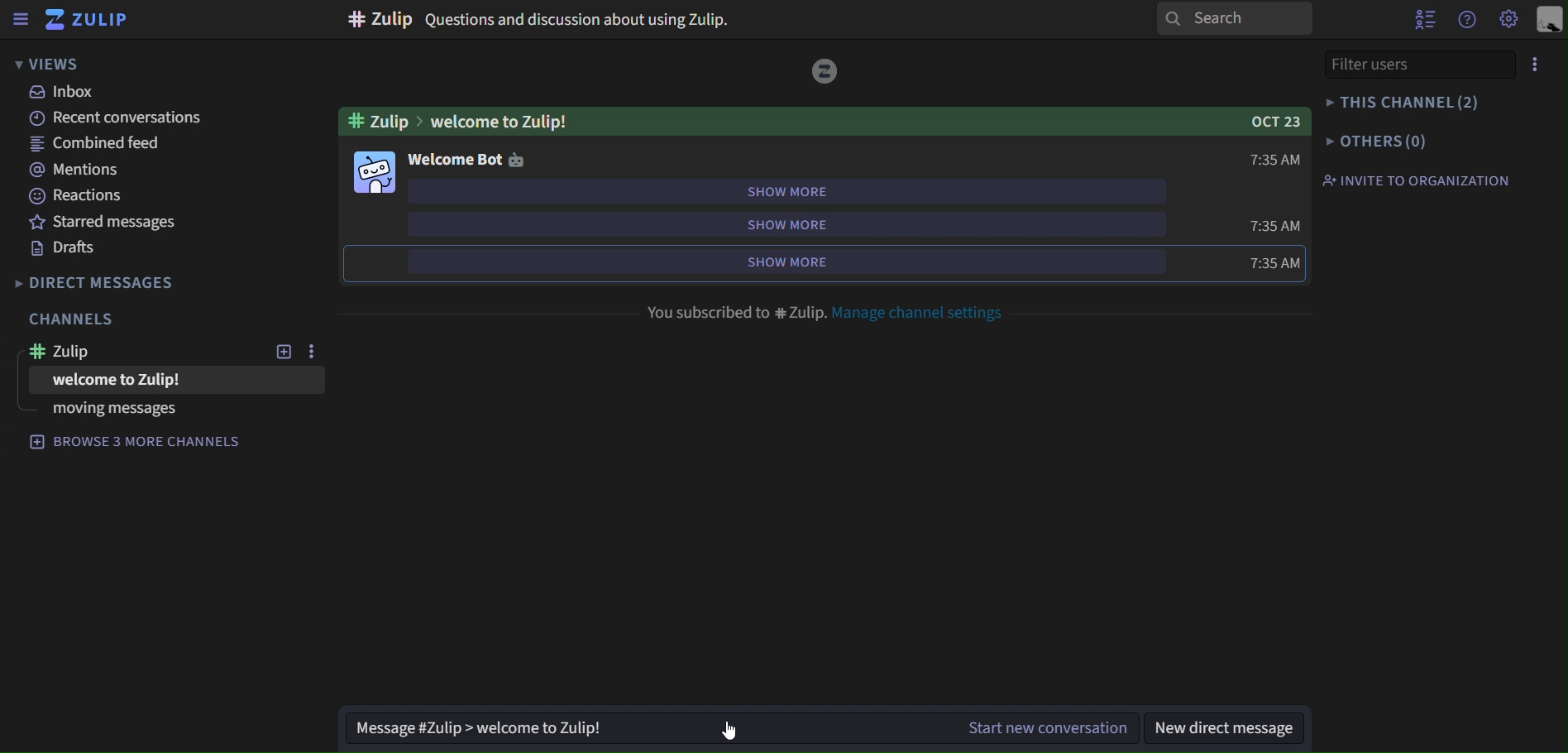 The height and width of the screenshot is (753, 1568). What do you see at coordinates (732, 727) in the screenshot?
I see `cursor` at bounding box center [732, 727].